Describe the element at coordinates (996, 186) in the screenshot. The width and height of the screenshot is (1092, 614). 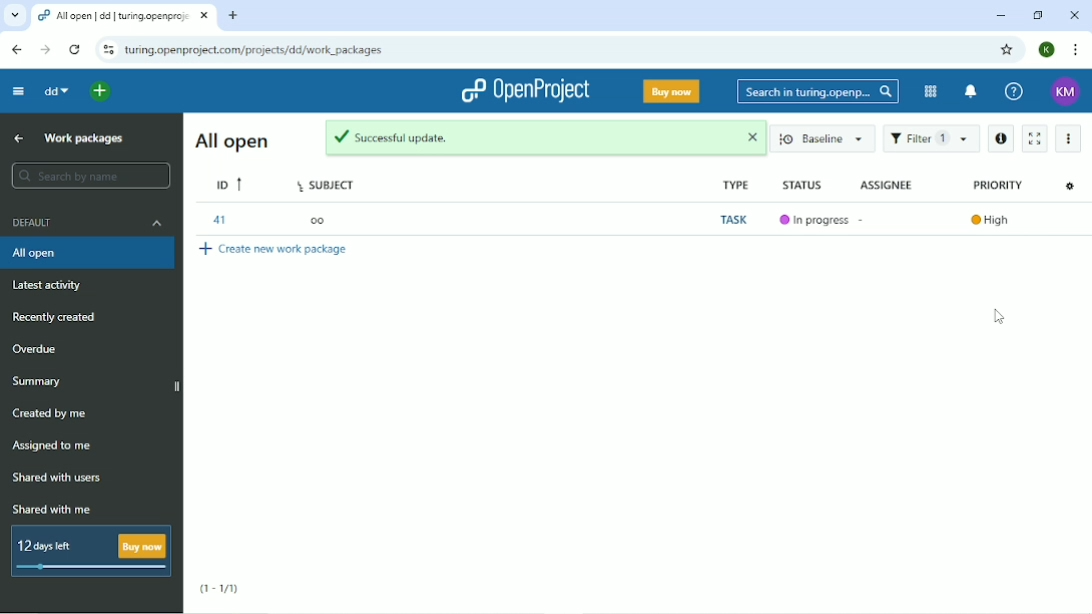
I see `Priority` at that location.